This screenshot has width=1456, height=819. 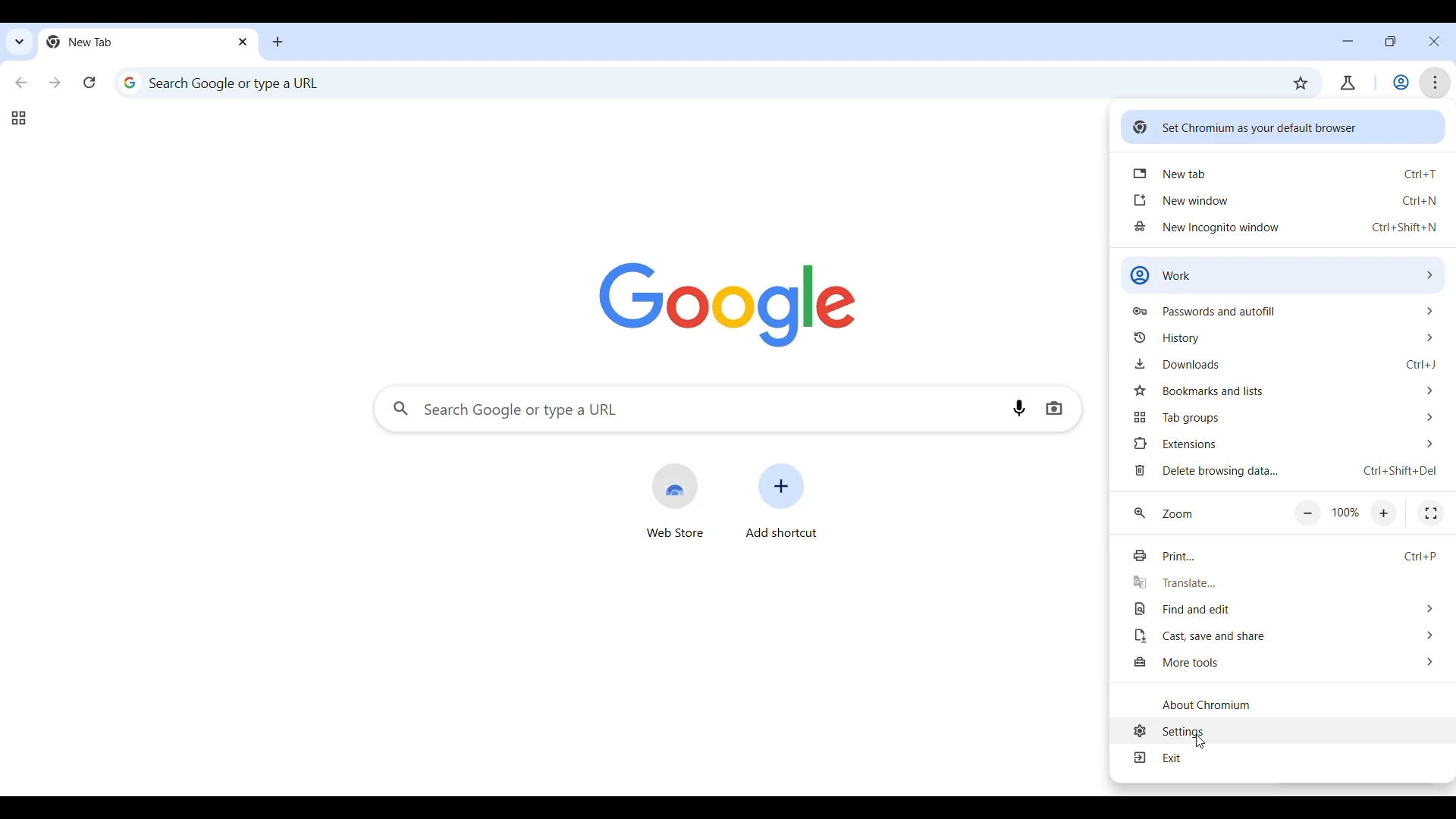 What do you see at coordinates (1285, 664) in the screenshot?
I see `More tools options` at bounding box center [1285, 664].